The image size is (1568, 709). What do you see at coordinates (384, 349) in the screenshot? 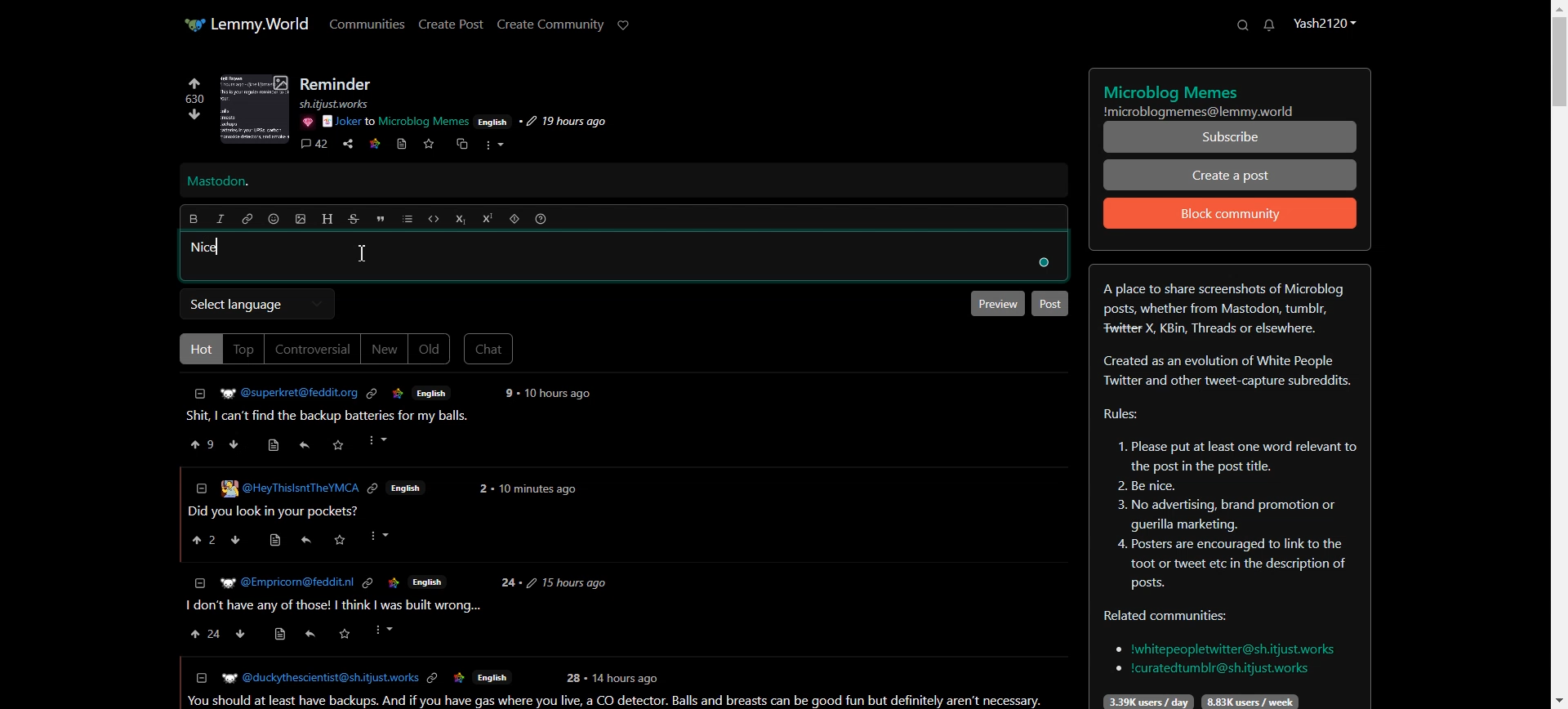
I see `New` at bounding box center [384, 349].